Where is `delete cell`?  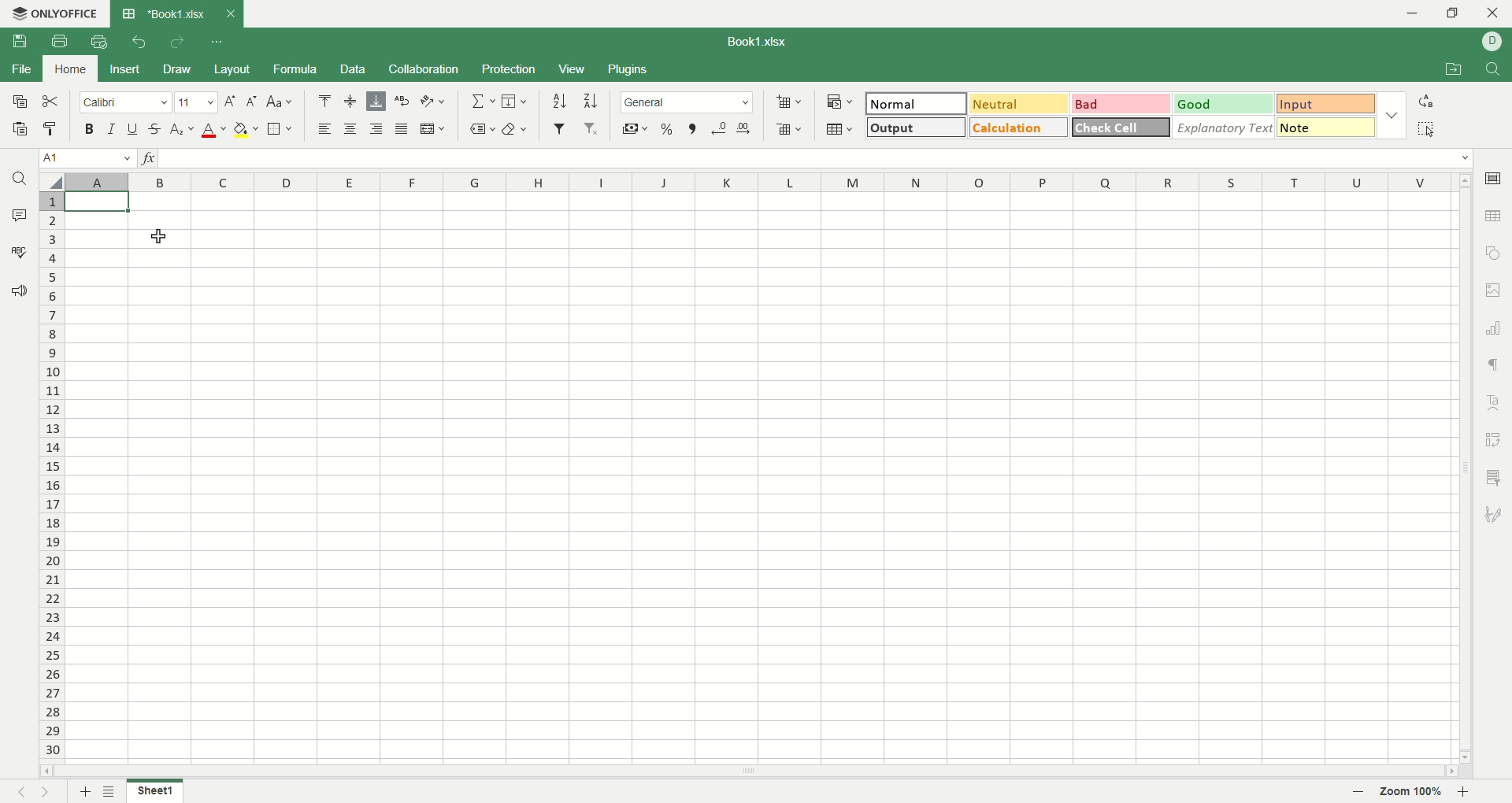 delete cell is located at coordinates (788, 130).